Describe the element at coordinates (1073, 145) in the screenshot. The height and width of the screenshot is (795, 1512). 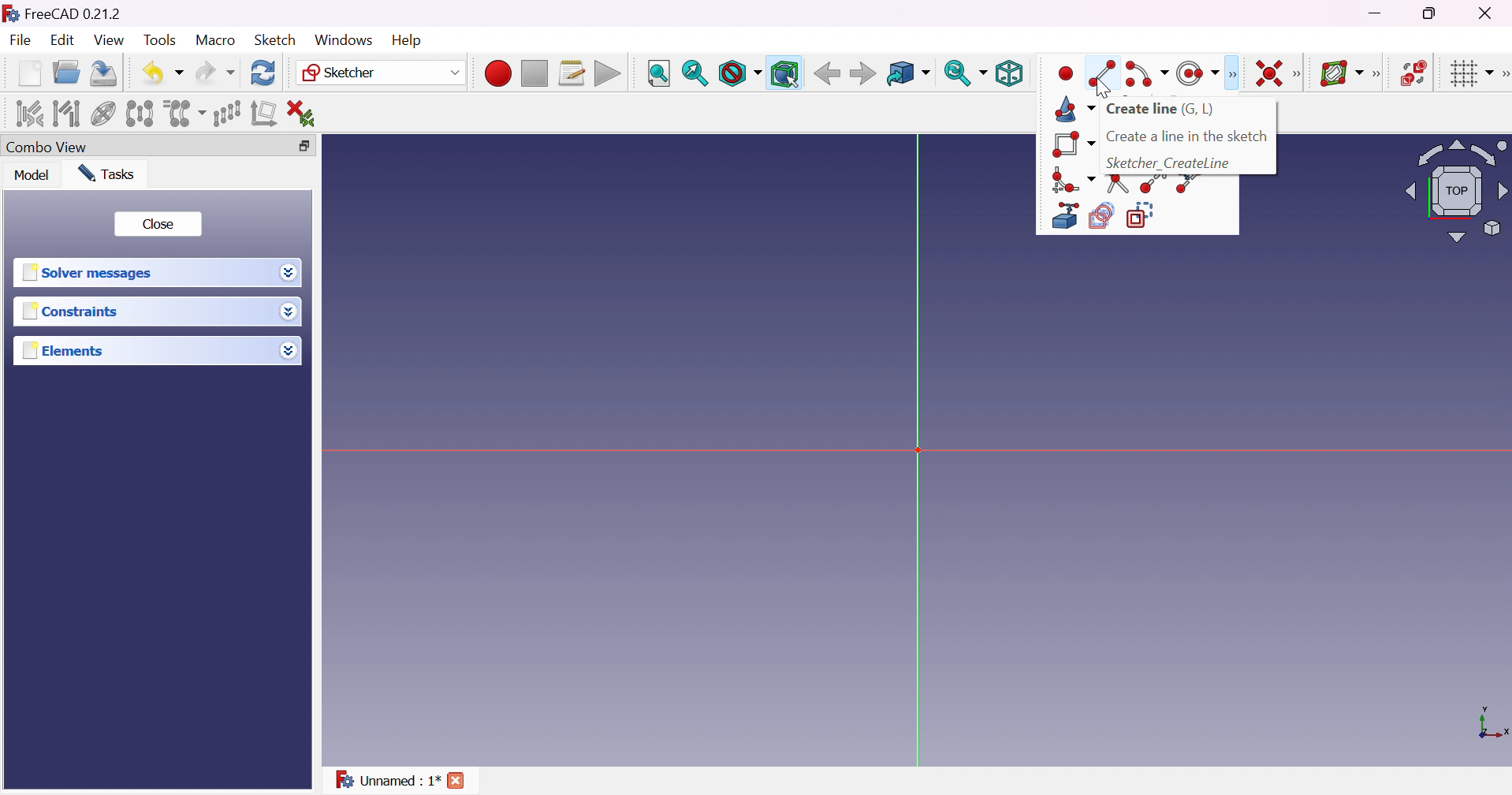
I see `Create rectangle` at that location.